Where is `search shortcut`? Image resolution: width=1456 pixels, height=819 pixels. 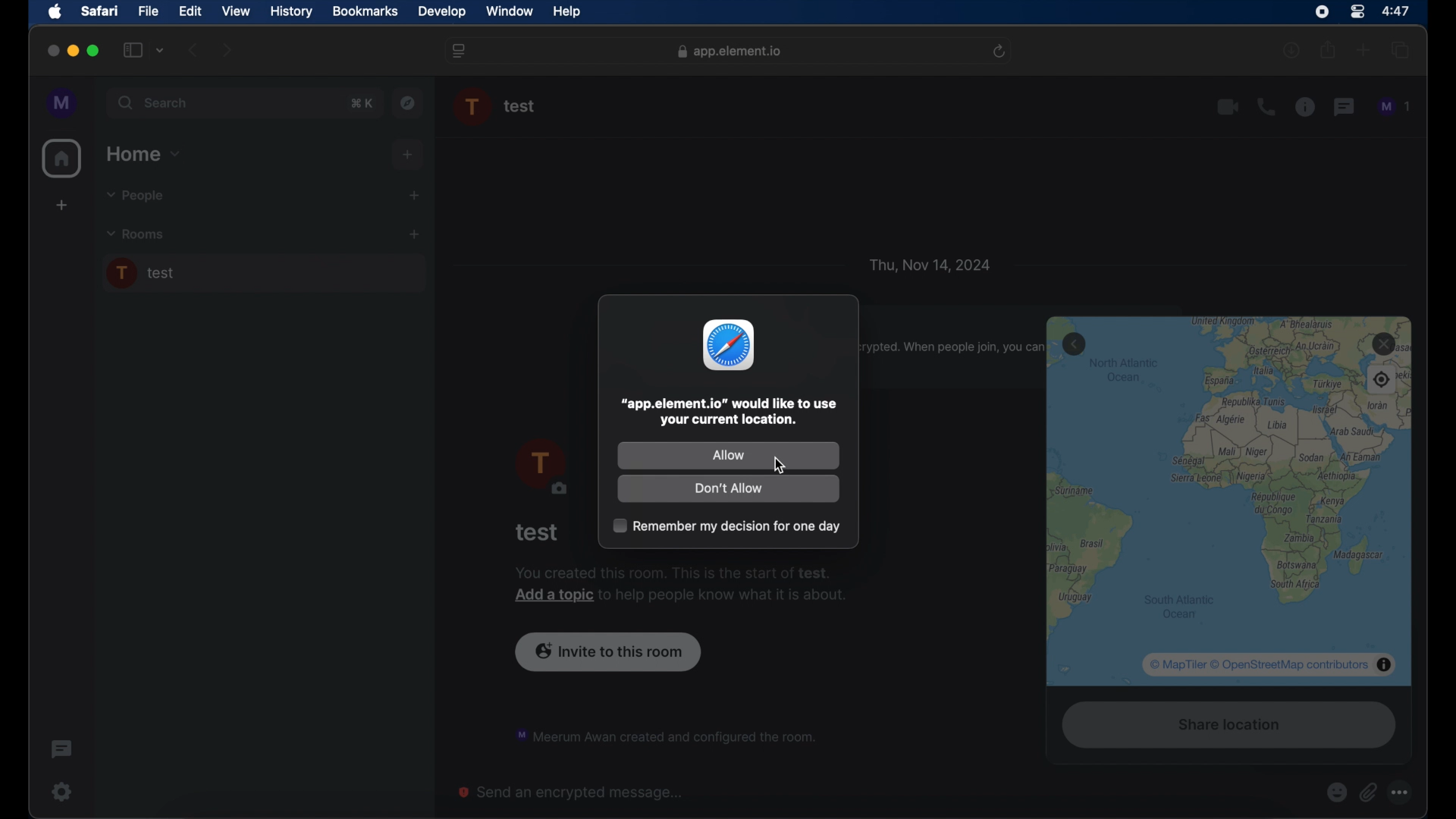
search shortcut is located at coordinates (361, 102).